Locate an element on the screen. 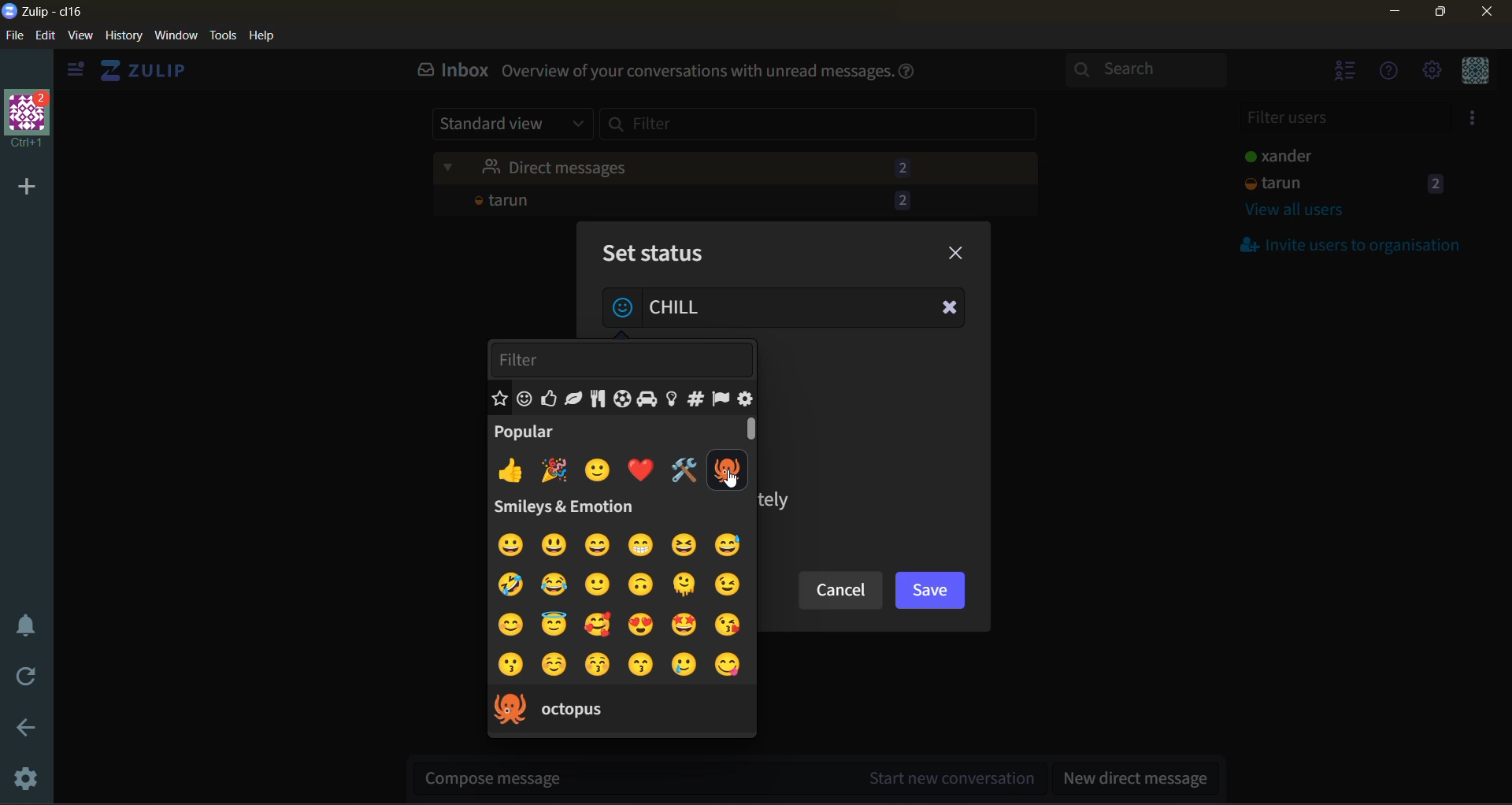  filter users is located at coordinates (1343, 118).